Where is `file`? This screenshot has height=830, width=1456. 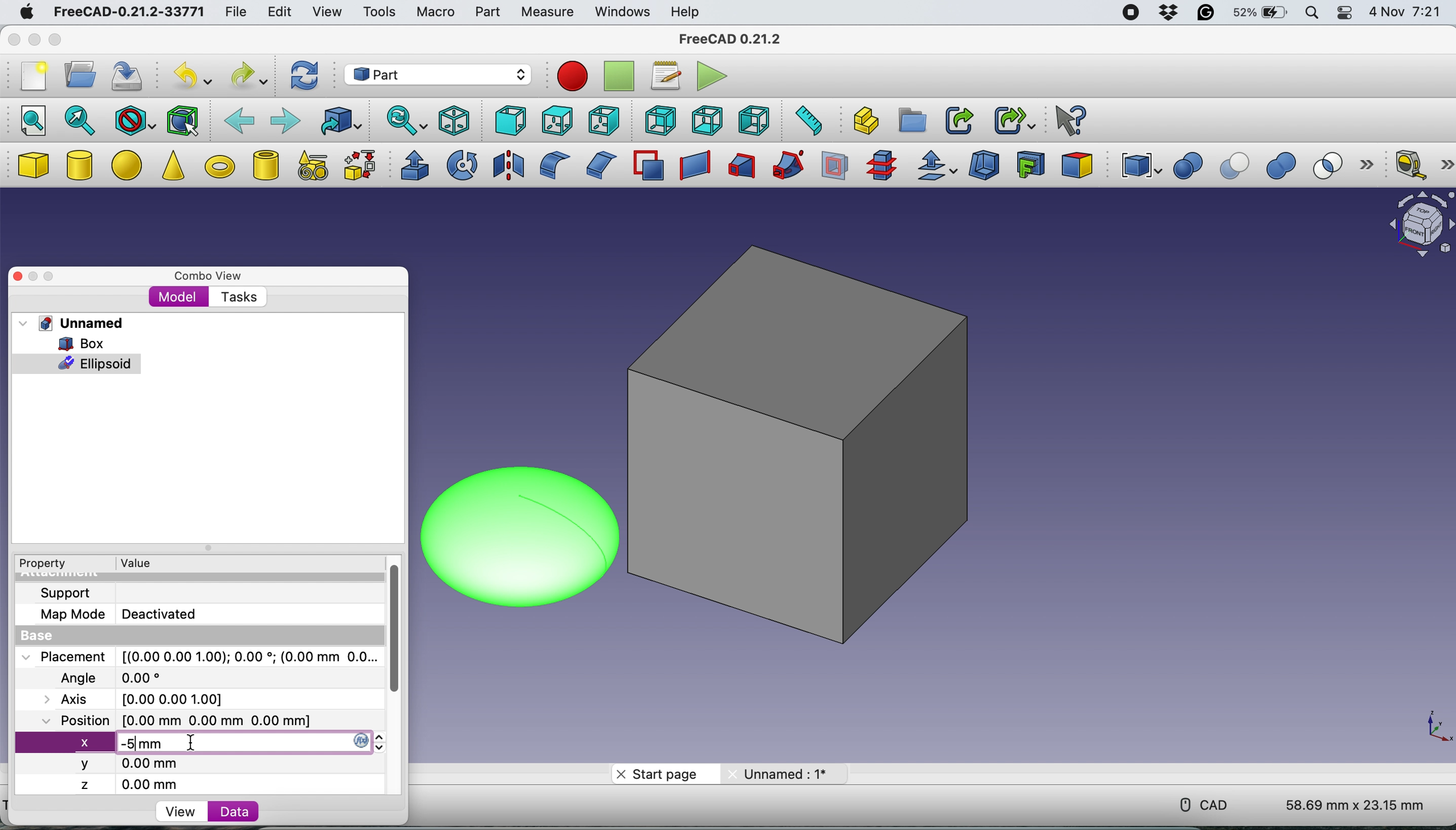 file is located at coordinates (236, 13).